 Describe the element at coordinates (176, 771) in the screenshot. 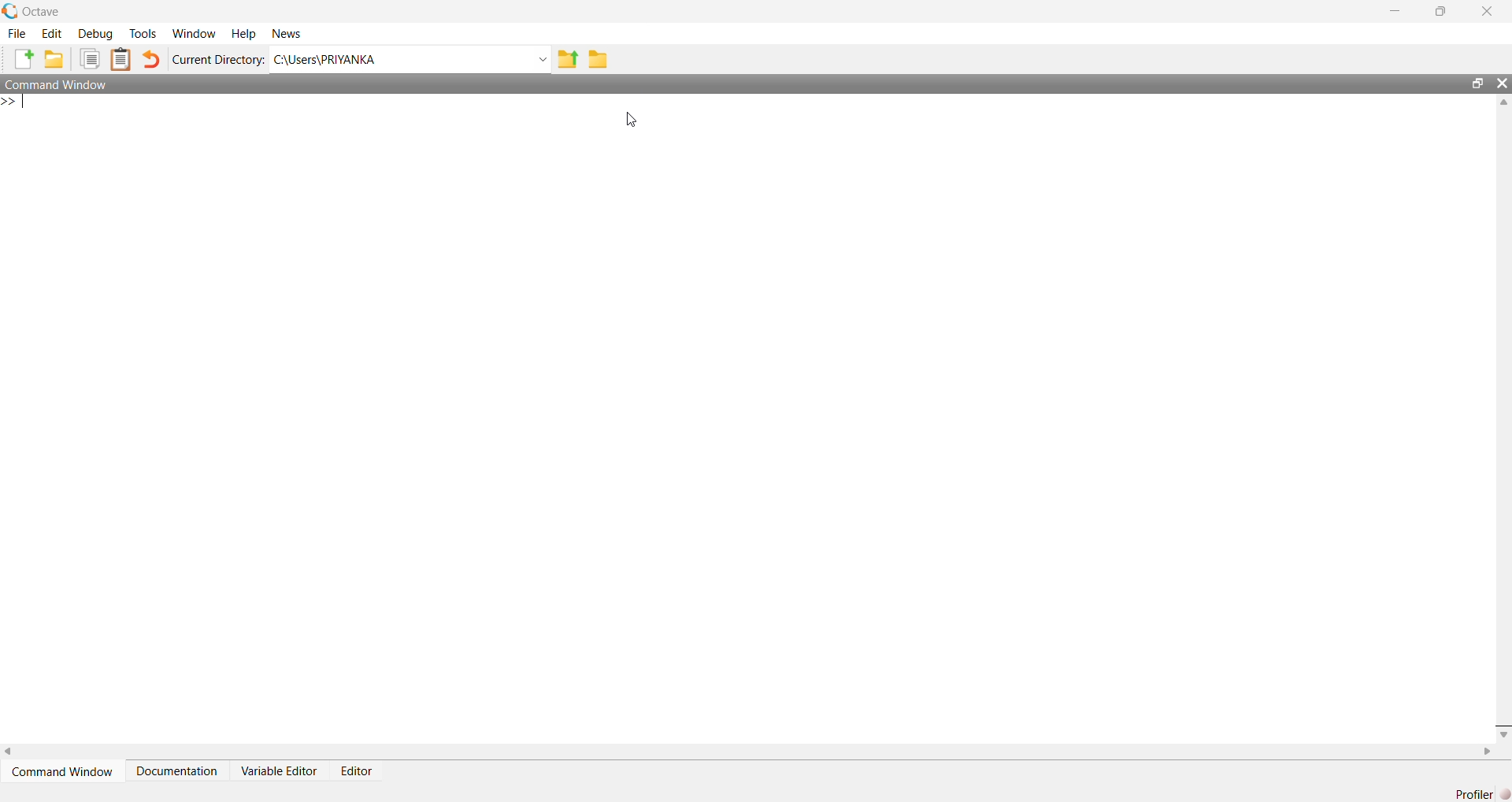

I see `Documentation` at that location.